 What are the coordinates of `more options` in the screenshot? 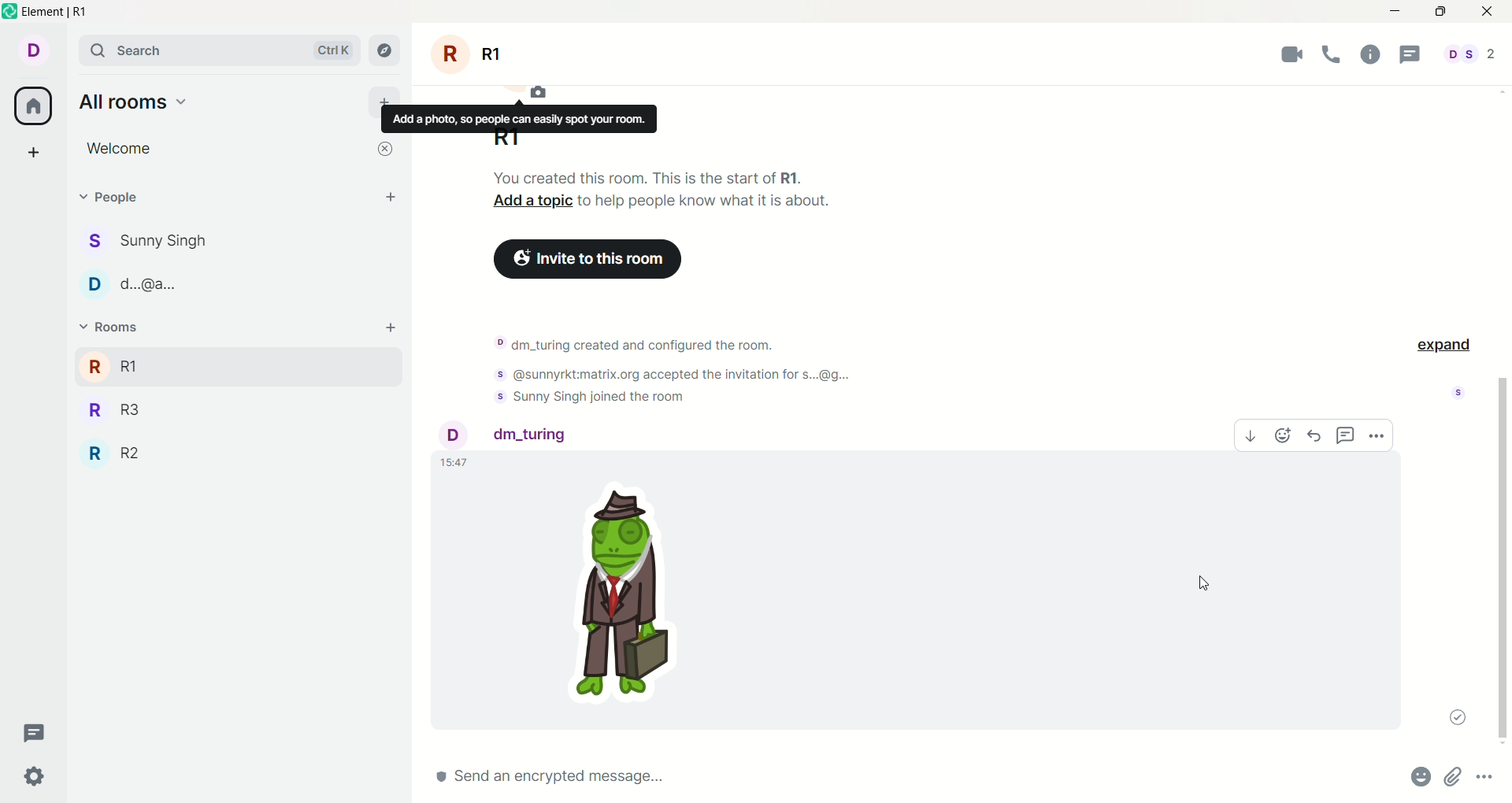 It's located at (1376, 435).